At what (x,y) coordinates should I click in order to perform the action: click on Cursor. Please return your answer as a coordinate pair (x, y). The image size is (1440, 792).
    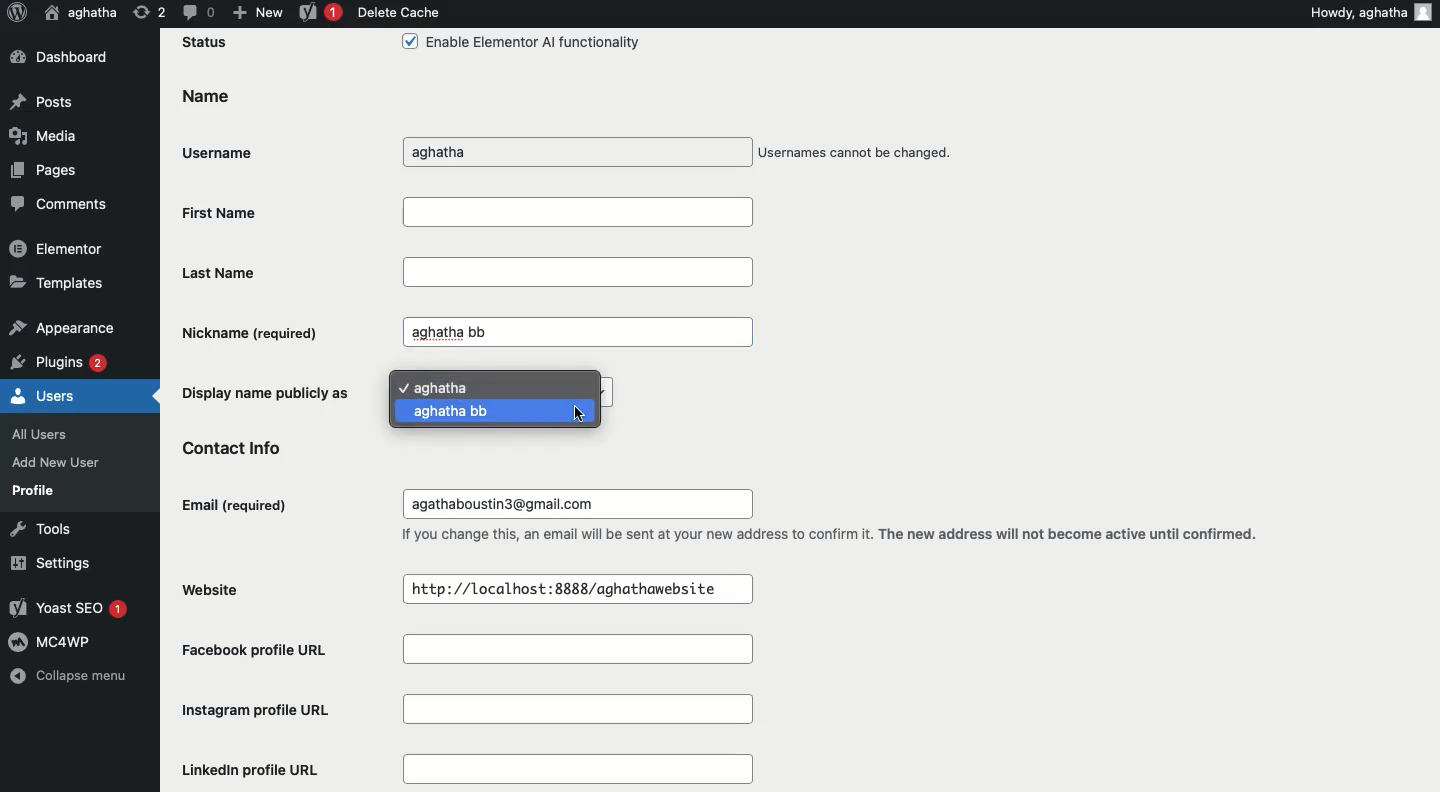
    Looking at the image, I should click on (578, 413).